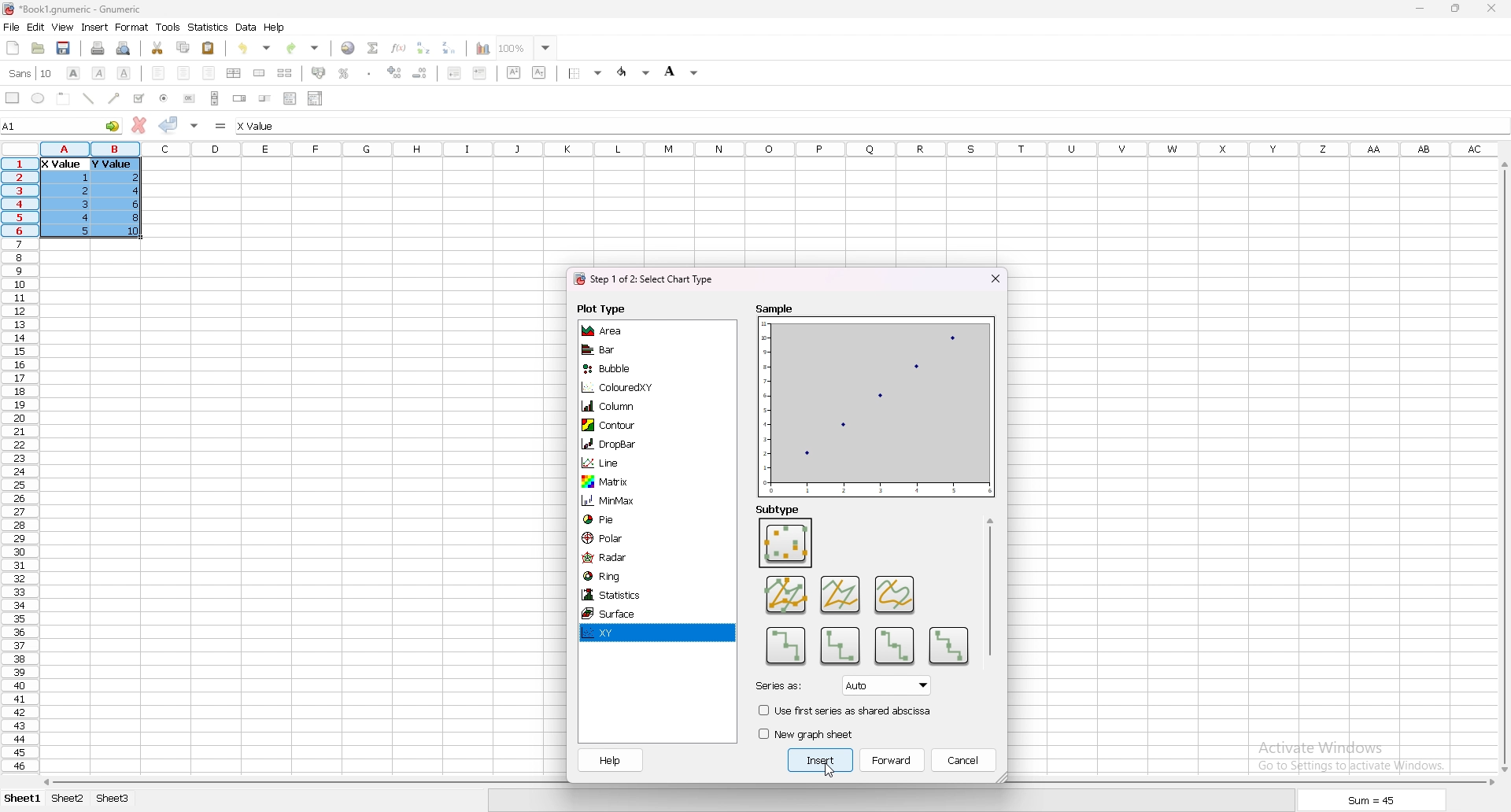 The width and height of the screenshot is (1511, 812). I want to click on subtype, so click(785, 543).